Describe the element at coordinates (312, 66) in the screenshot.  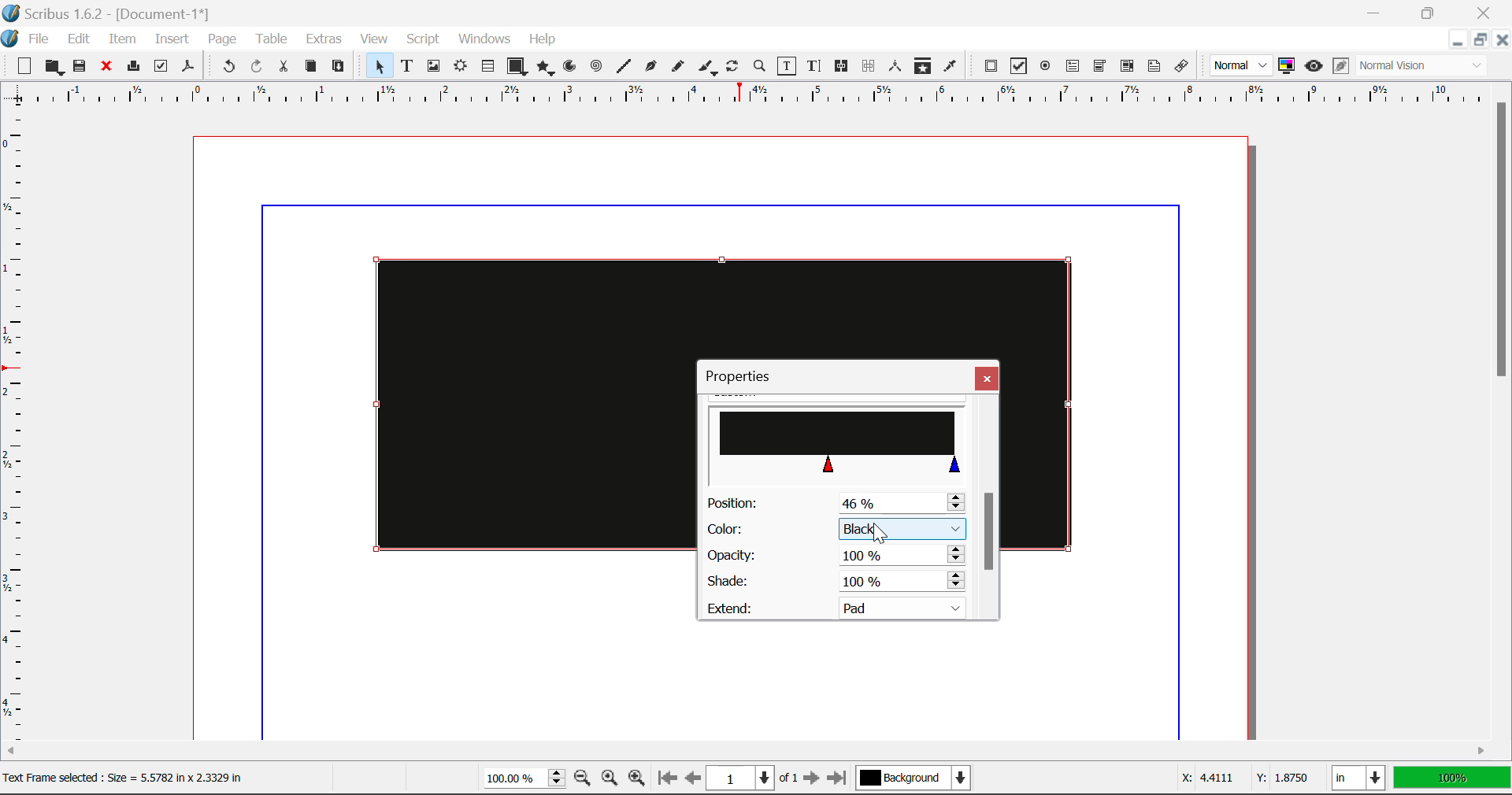
I see `Copy` at that location.